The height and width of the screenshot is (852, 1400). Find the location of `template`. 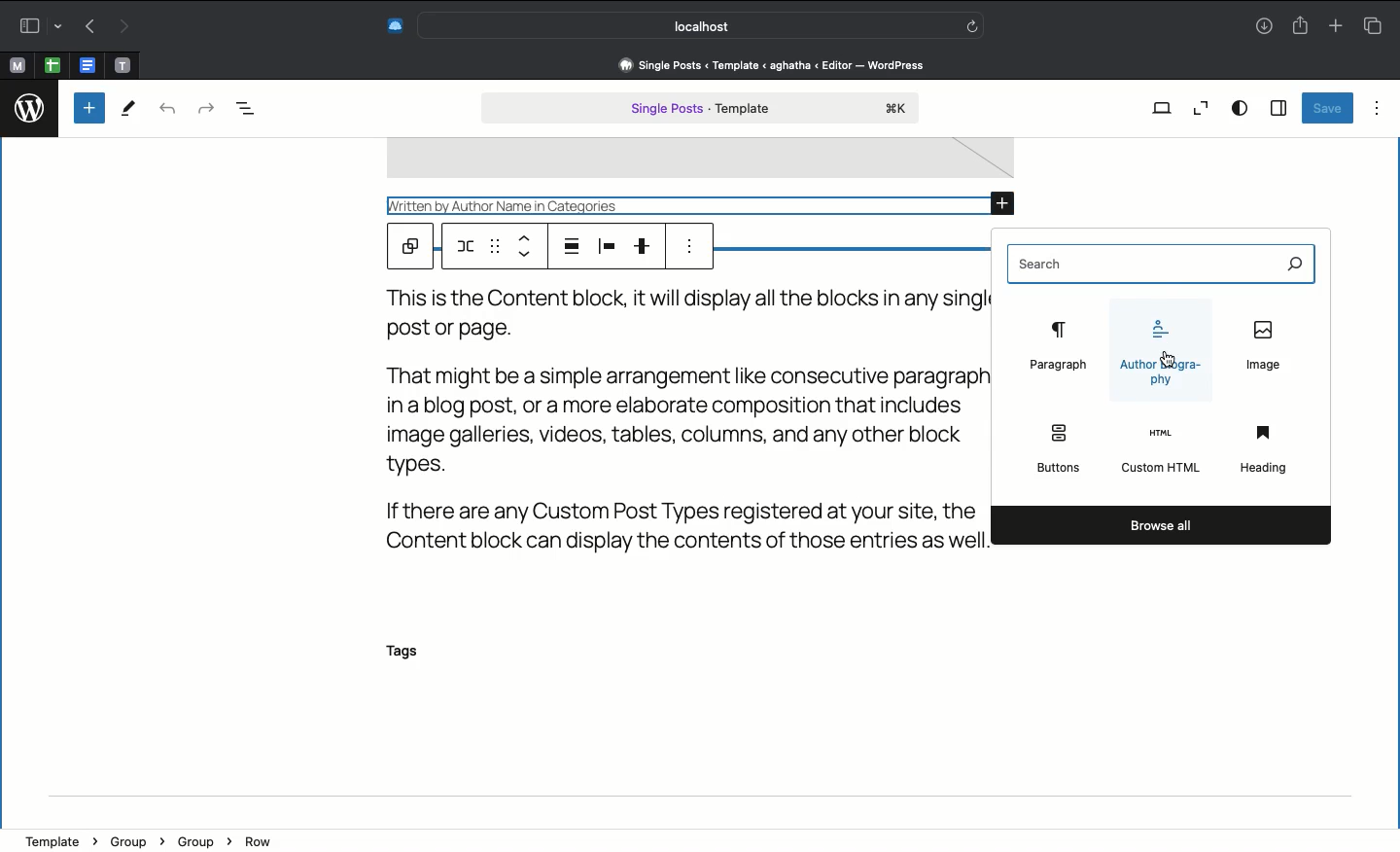

template is located at coordinates (59, 835).